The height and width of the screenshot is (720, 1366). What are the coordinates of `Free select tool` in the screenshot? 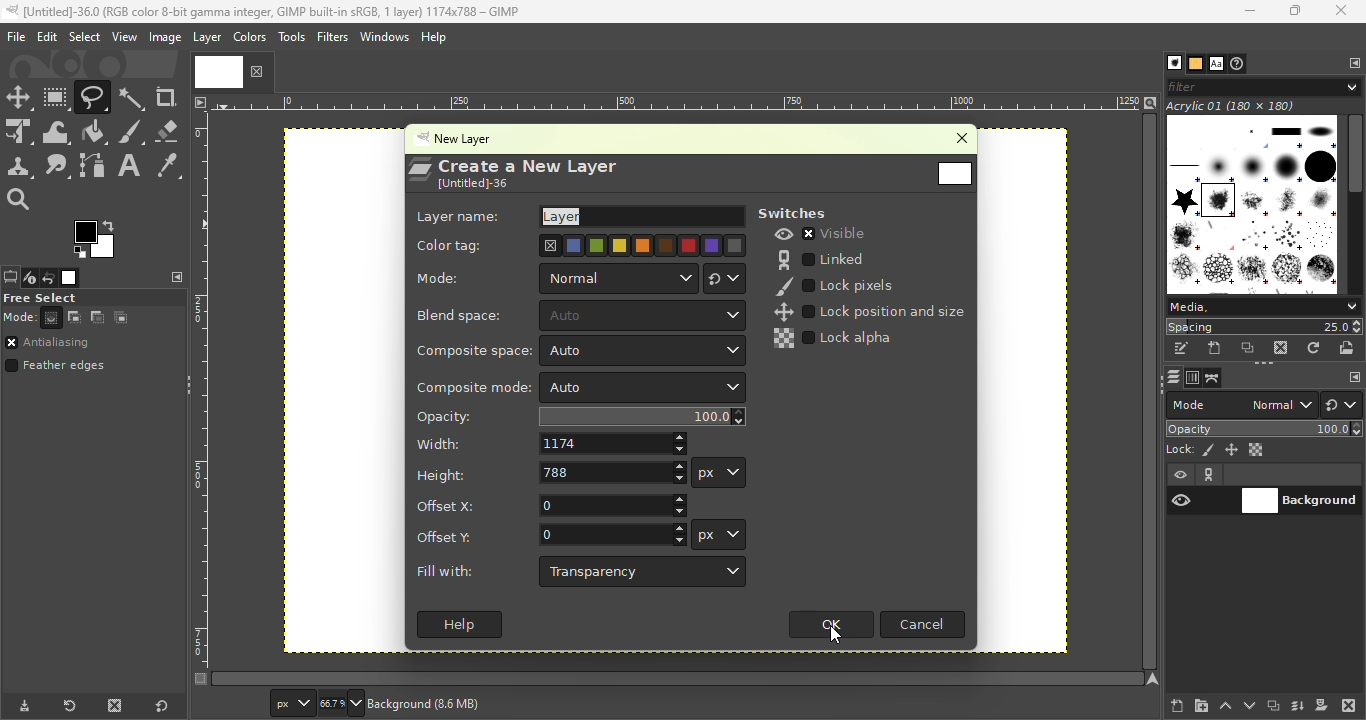 It's located at (95, 96).